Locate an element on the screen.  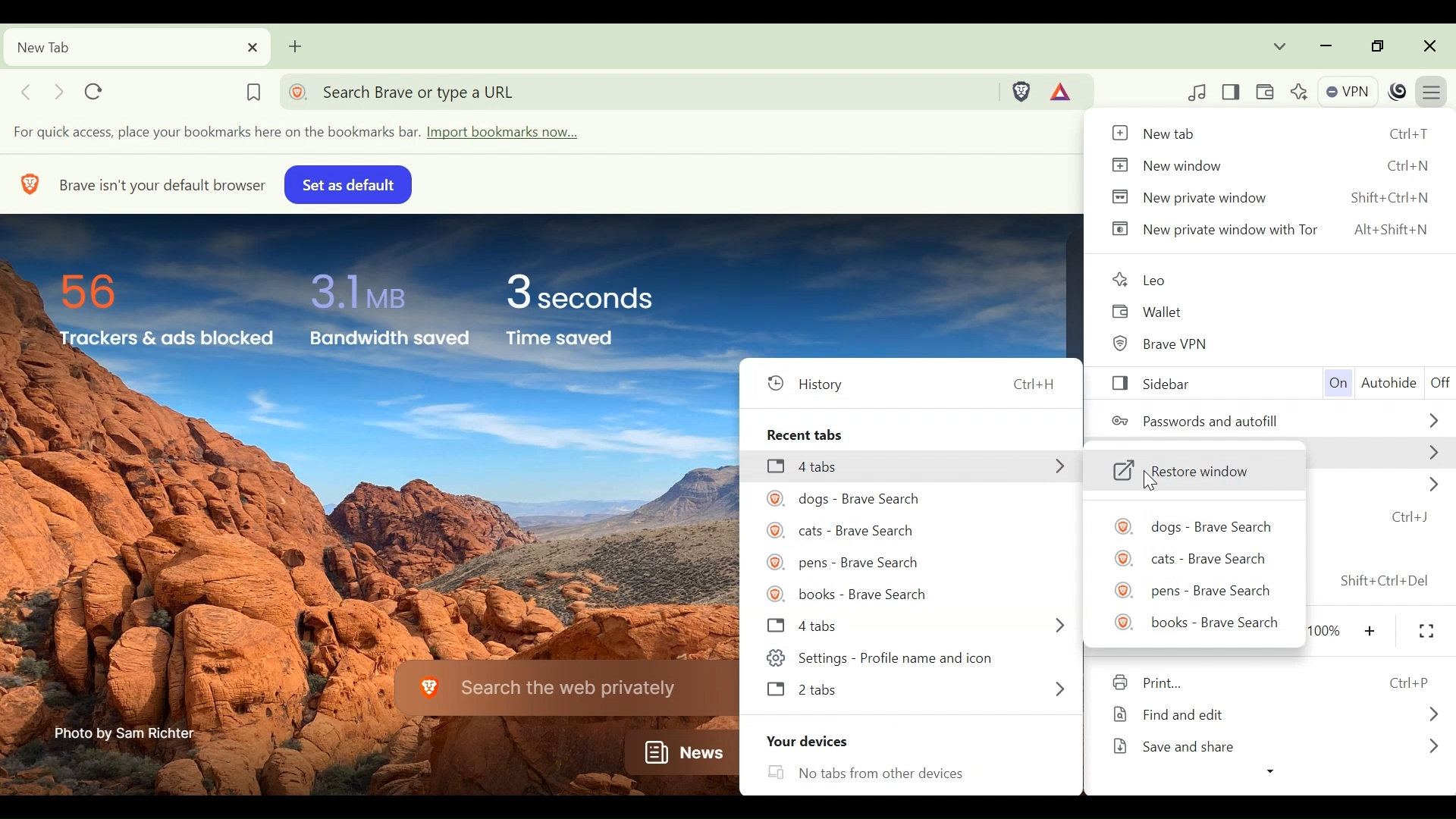
dogs - Brave Search is located at coordinates (1188, 526).